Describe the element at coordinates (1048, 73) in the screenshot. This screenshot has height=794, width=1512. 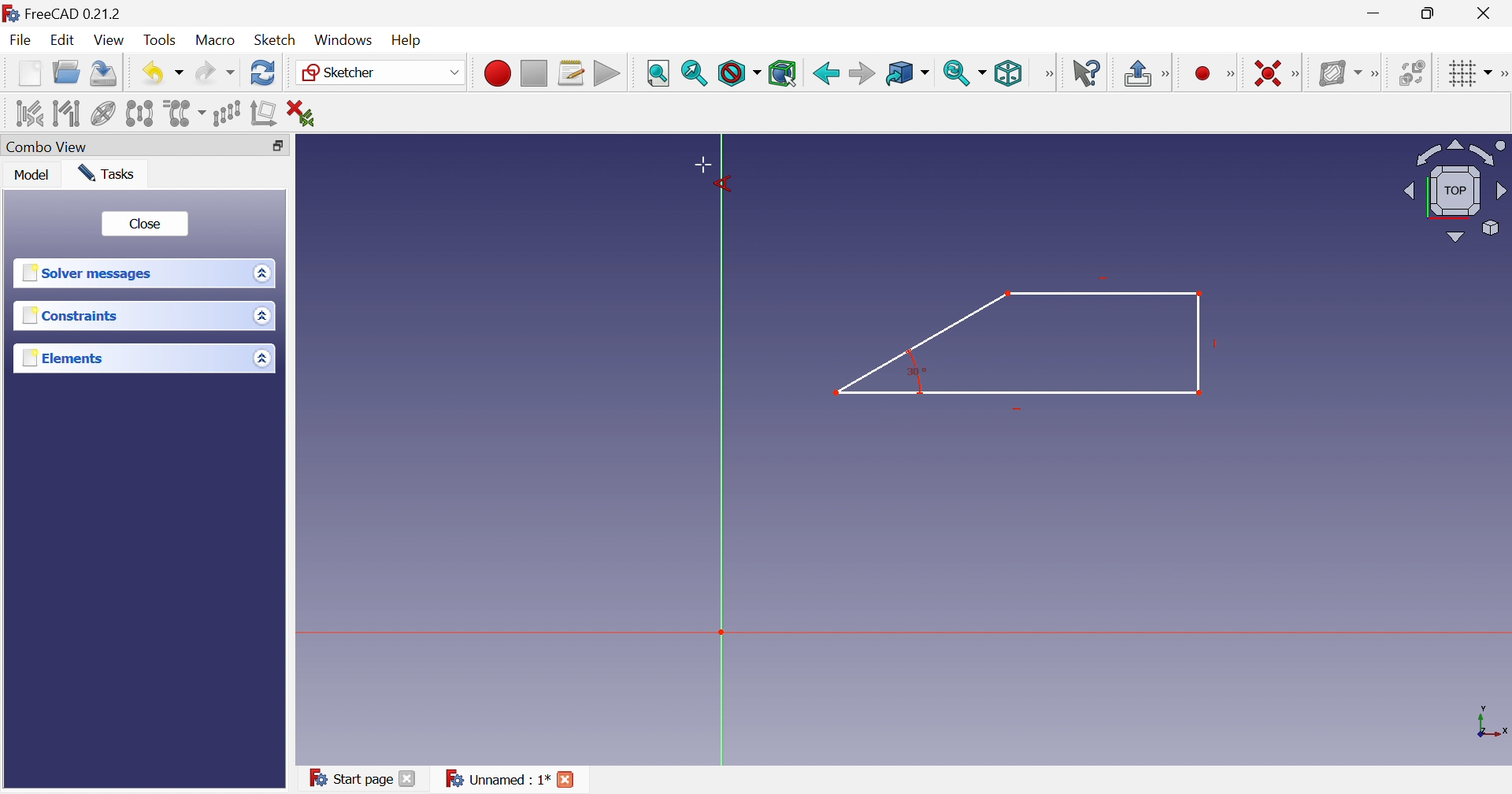
I see `More` at that location.